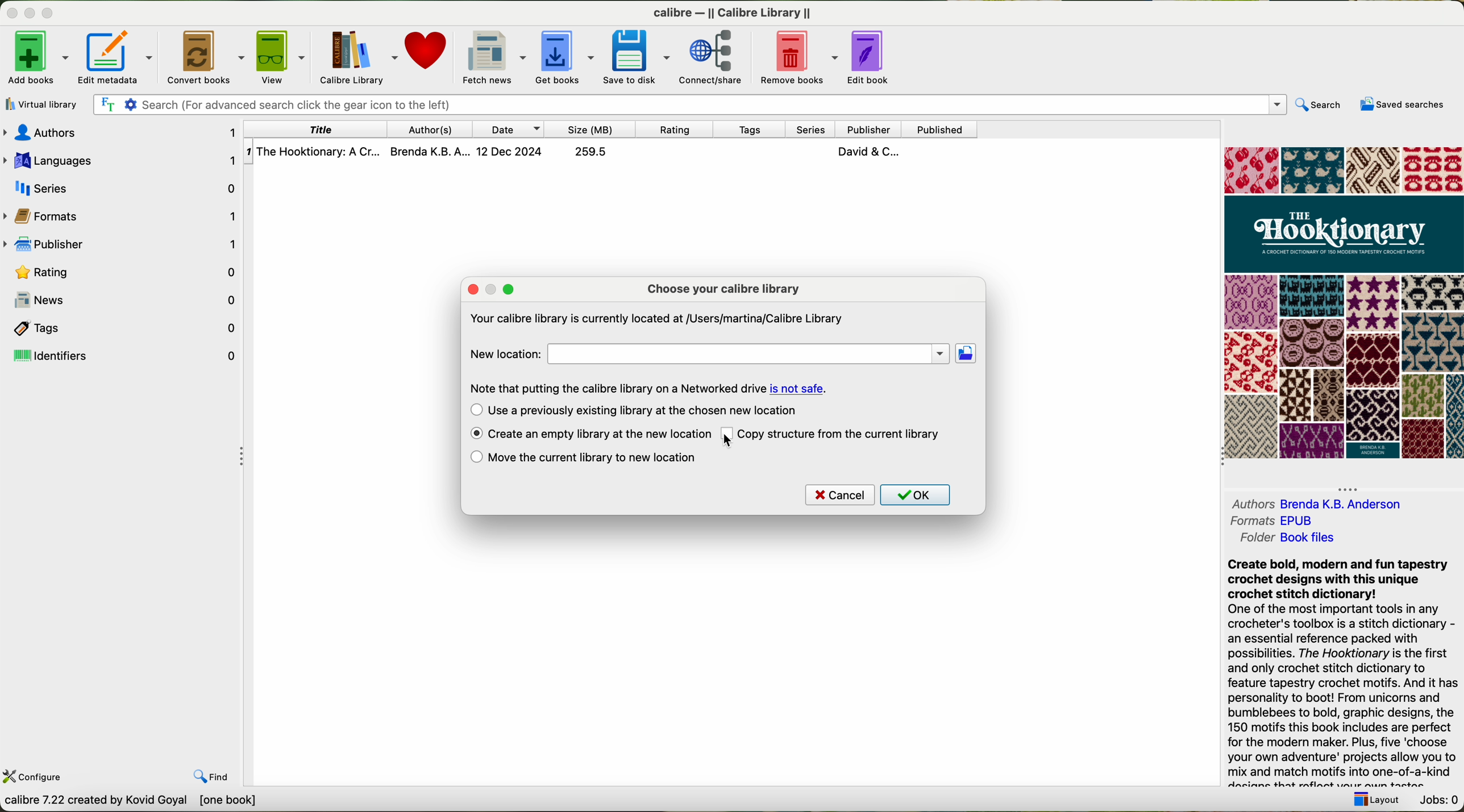 This screenshot has height=812, width=1464. What do you see at coordinates (471, 288) in the screenshot?
I see `close popup` at bounding box center [471, 288].